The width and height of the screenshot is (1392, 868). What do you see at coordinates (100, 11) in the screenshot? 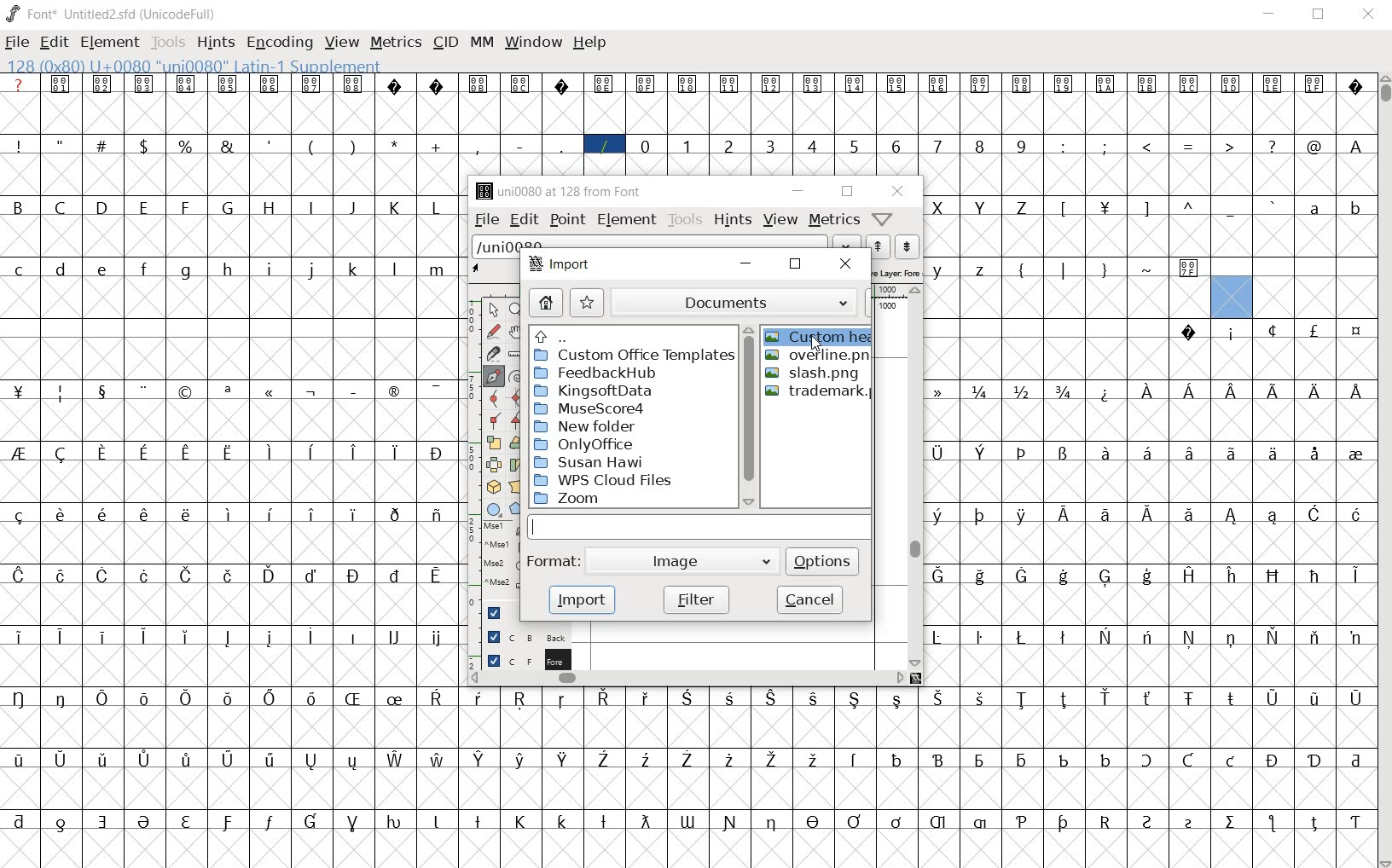
I see `font name` at bounding box center [100, 11].